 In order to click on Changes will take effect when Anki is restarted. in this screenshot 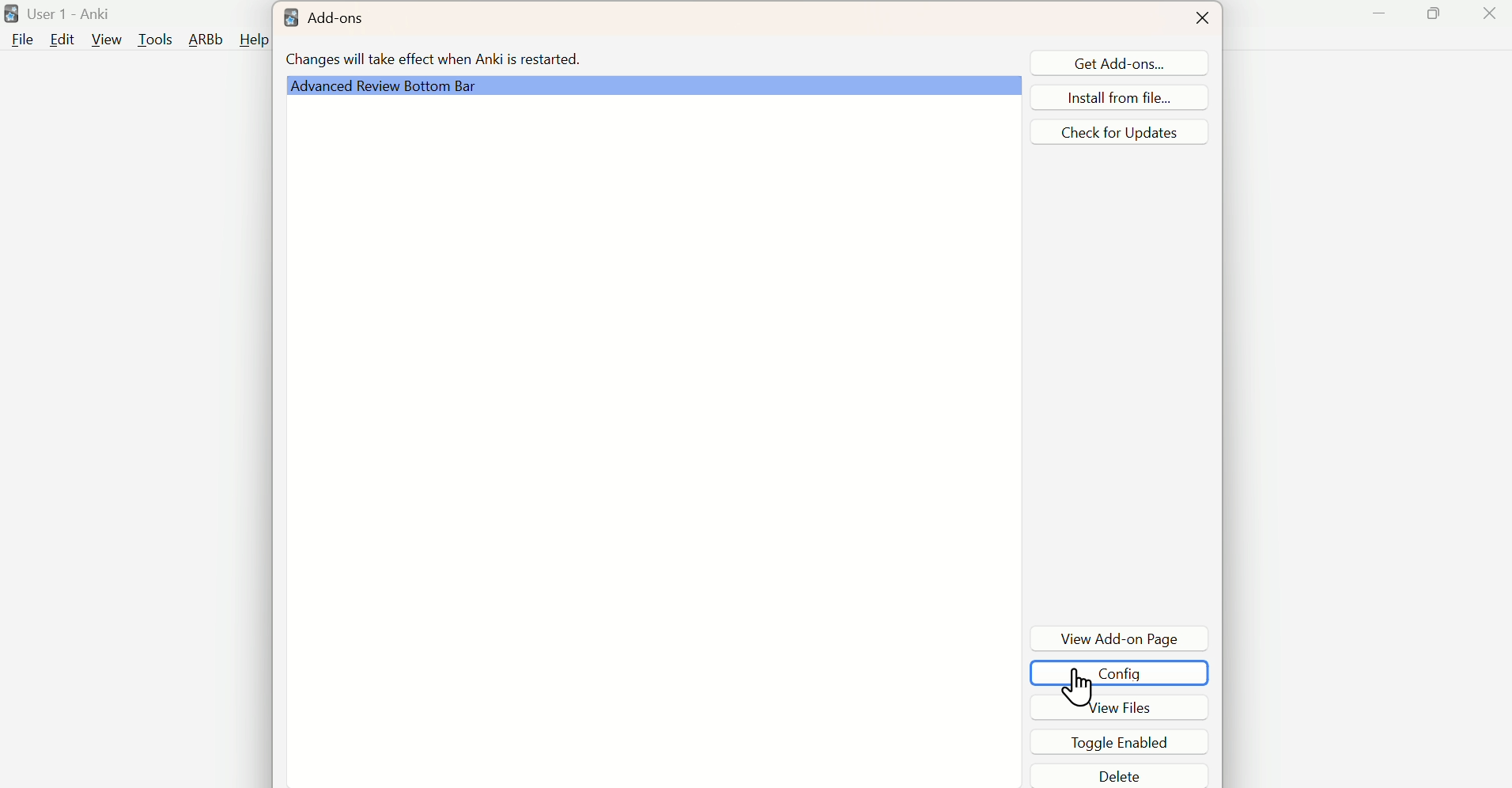, I will do `click(435, 58)`.